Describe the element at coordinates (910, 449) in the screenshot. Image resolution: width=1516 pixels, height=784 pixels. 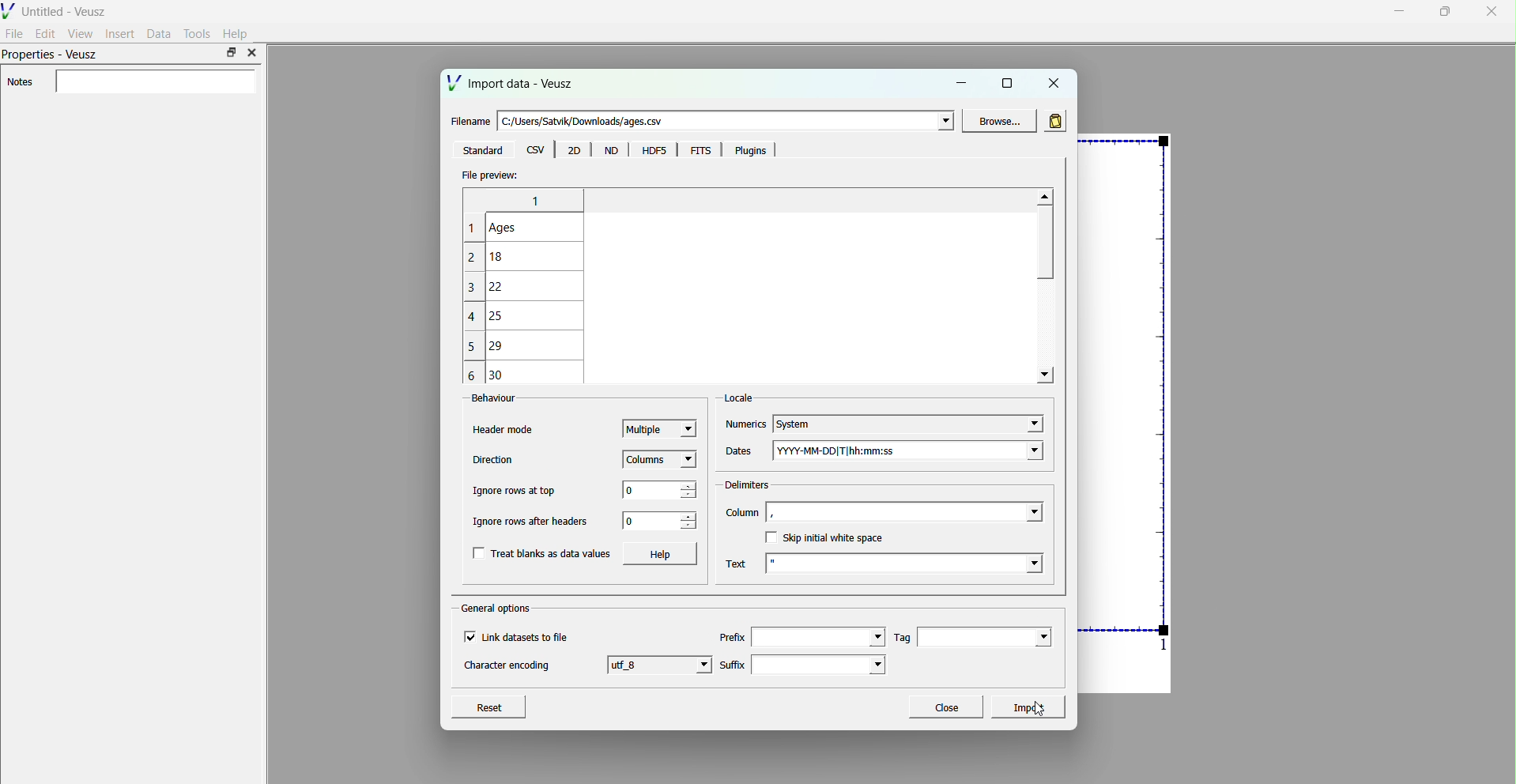
I see `YYYY-MM-DD|T|hh:mm:ss` at that location.